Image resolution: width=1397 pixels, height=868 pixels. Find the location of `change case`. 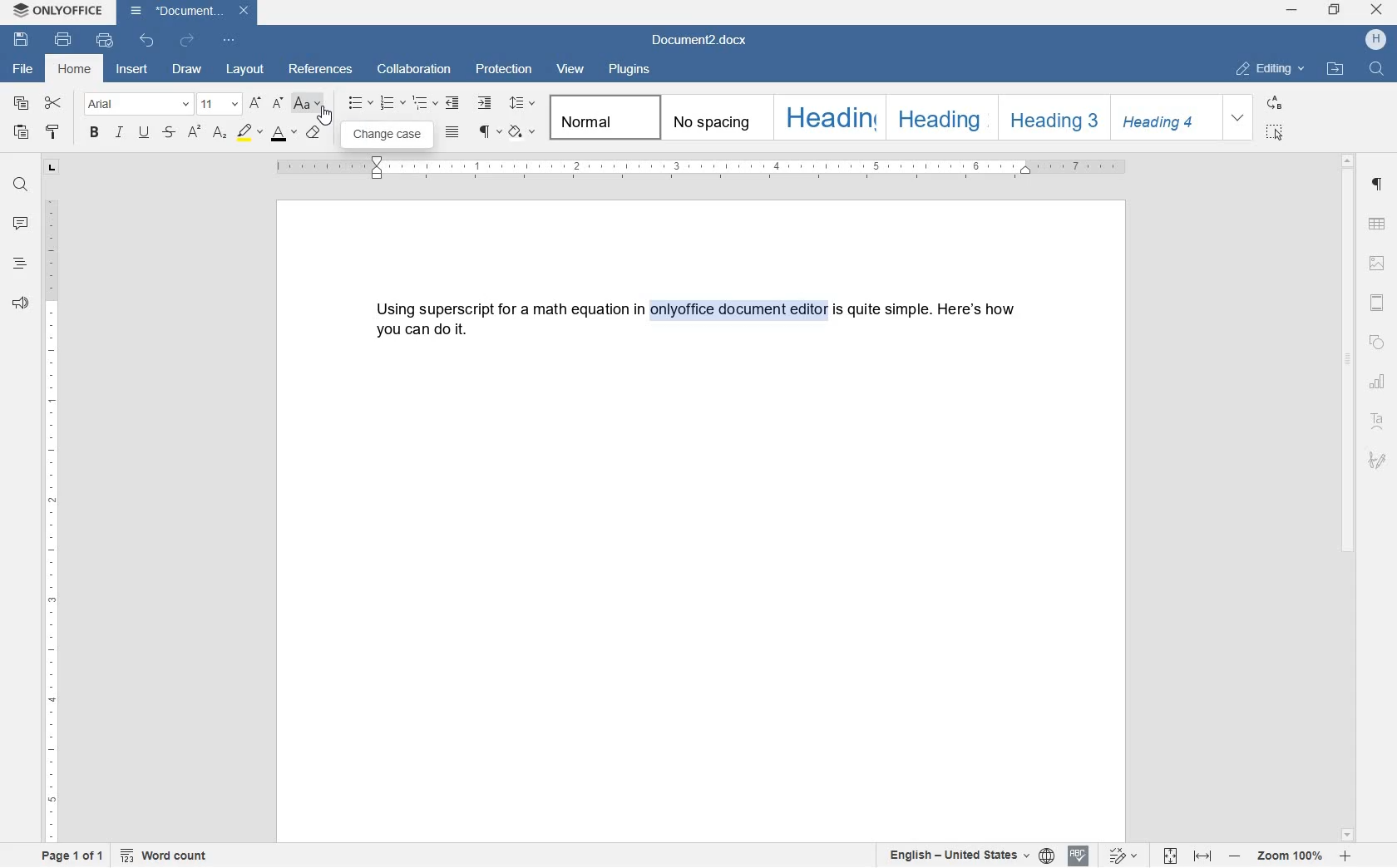

change case is located at coordinates (309, 104).